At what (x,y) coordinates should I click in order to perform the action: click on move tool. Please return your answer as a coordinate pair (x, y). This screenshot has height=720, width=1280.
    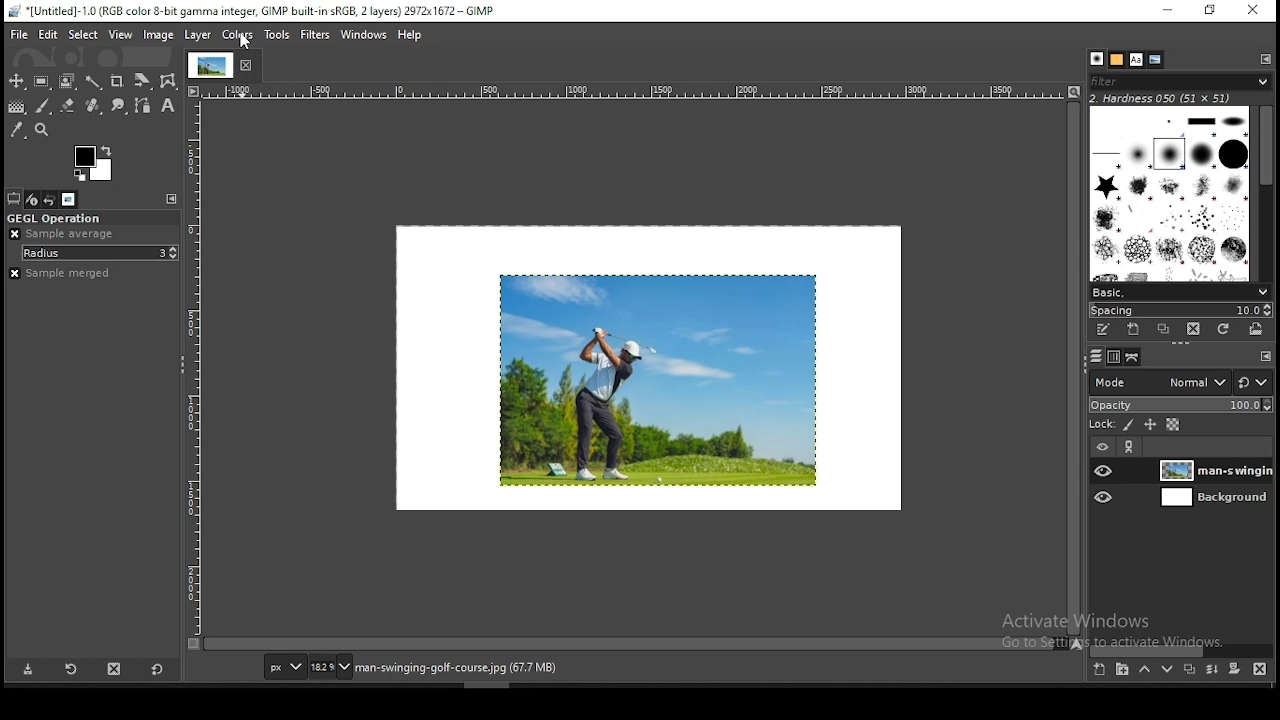
    Looking at the image, I should click on (16, 80).